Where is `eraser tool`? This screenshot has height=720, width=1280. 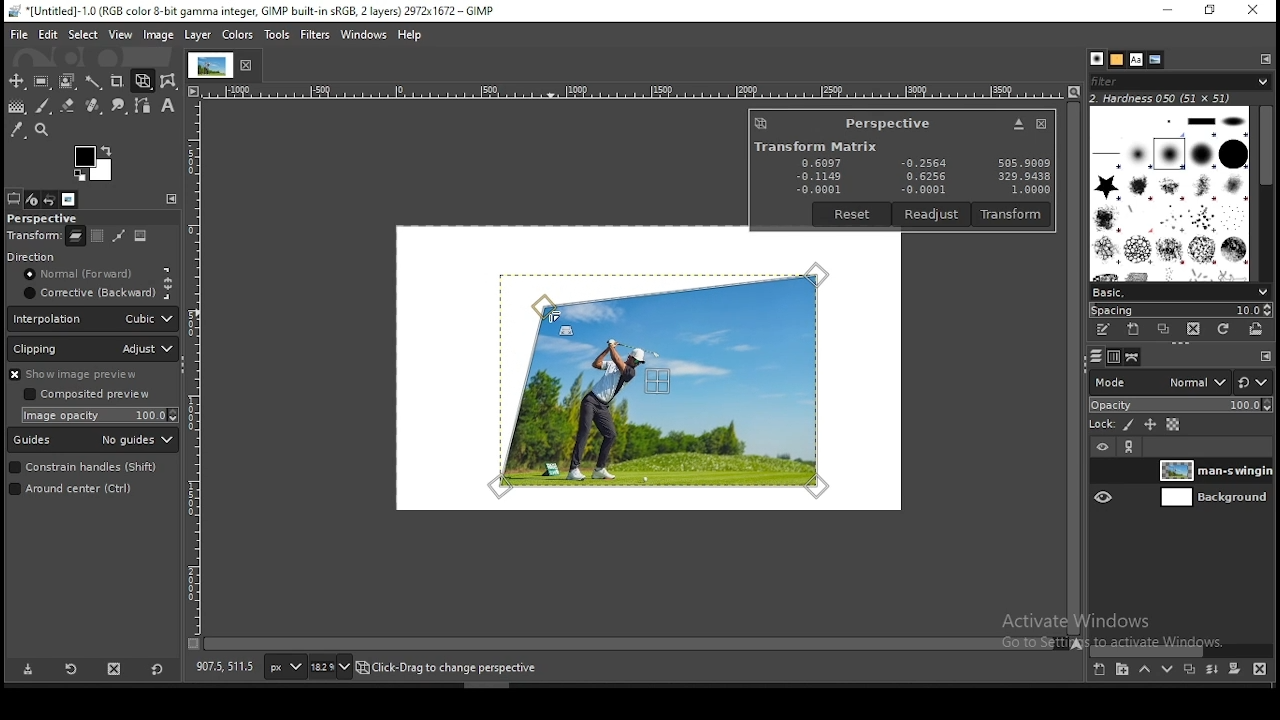
eraser tool is located at coordinates (69, 103).